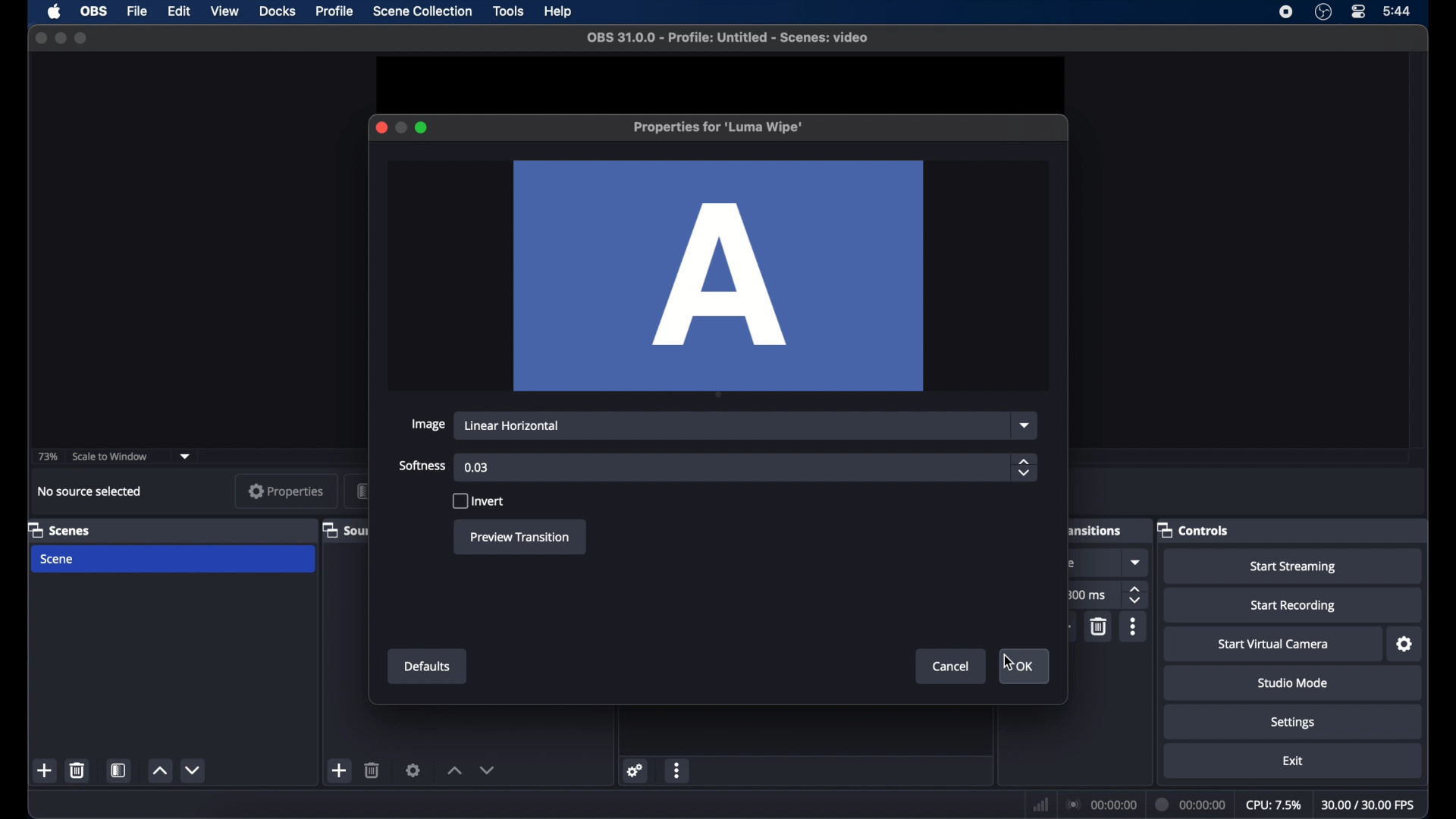 The width and height of the screenshot is (1456, 819). What do you see at coordinates (423, 465) in the screenshot?
I see `softness` at bounding box center [423, 465].